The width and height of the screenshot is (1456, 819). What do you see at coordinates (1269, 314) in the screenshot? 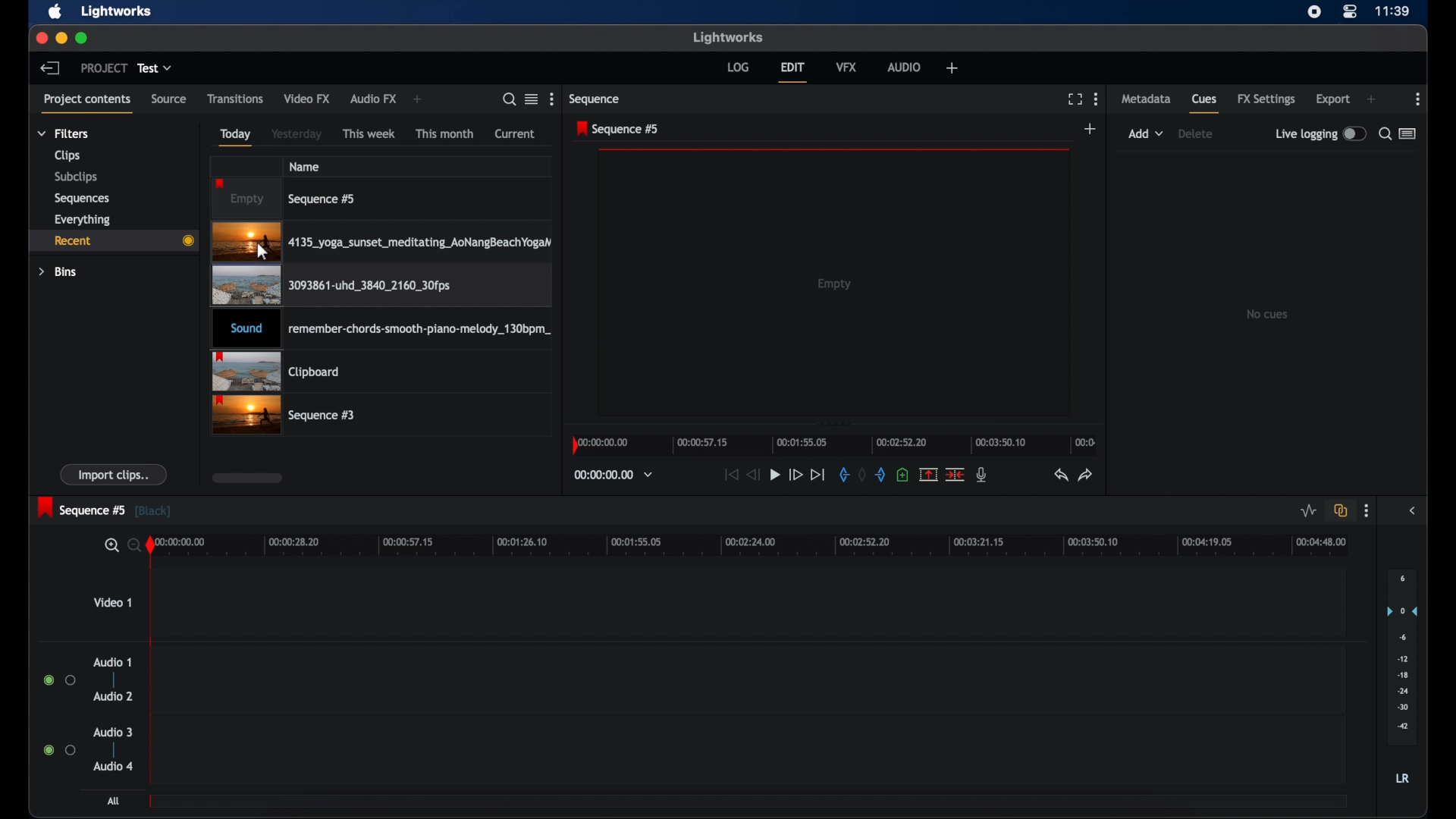
I see `no cues` at bounding box center [1269, 314].